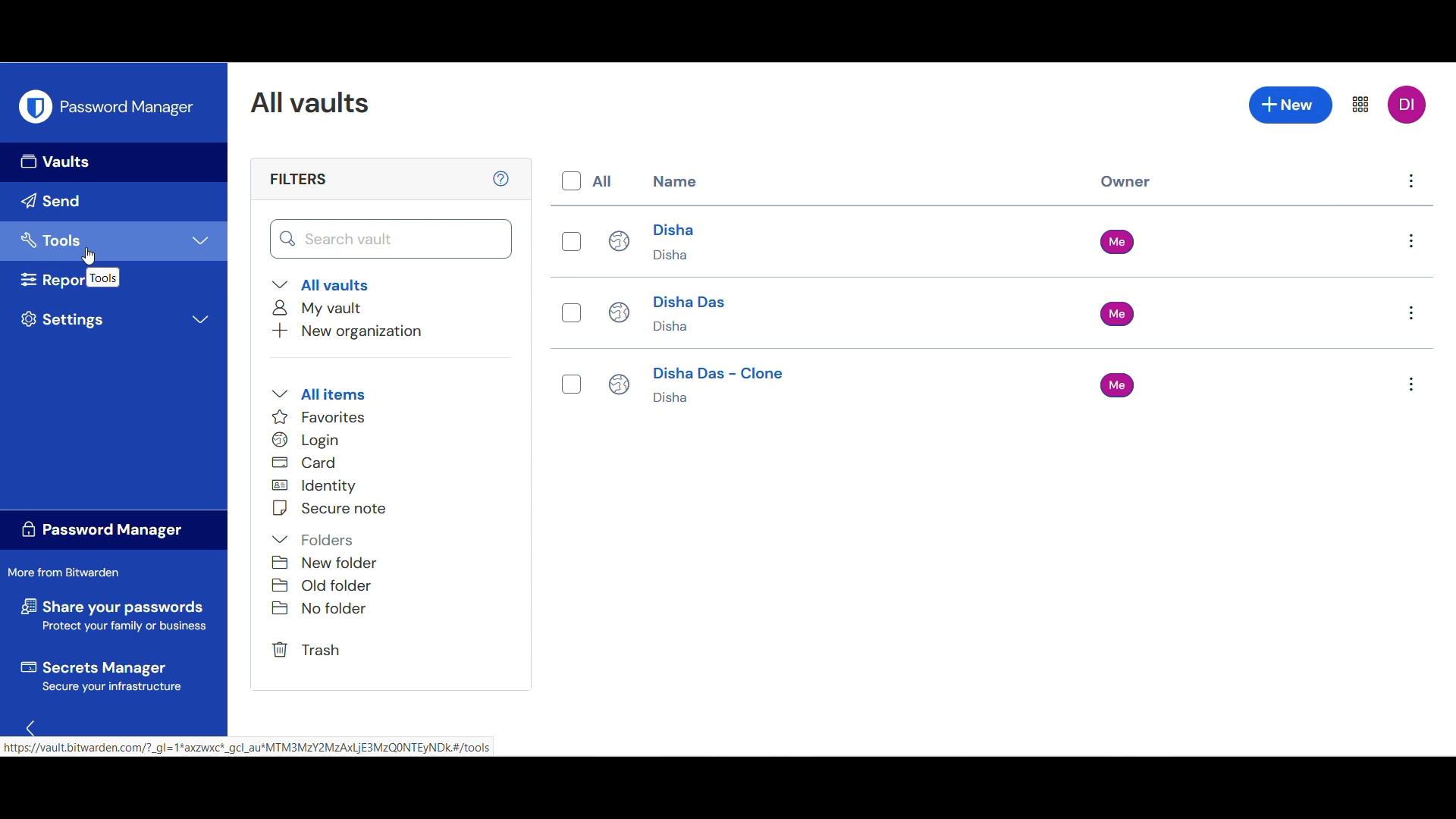 Image resolution: width=1456 pixels, height=819 pixels. What do you see at coordinates (118, 320) in the screenshot?
I see `Settings` at bounding box center [118, 320].